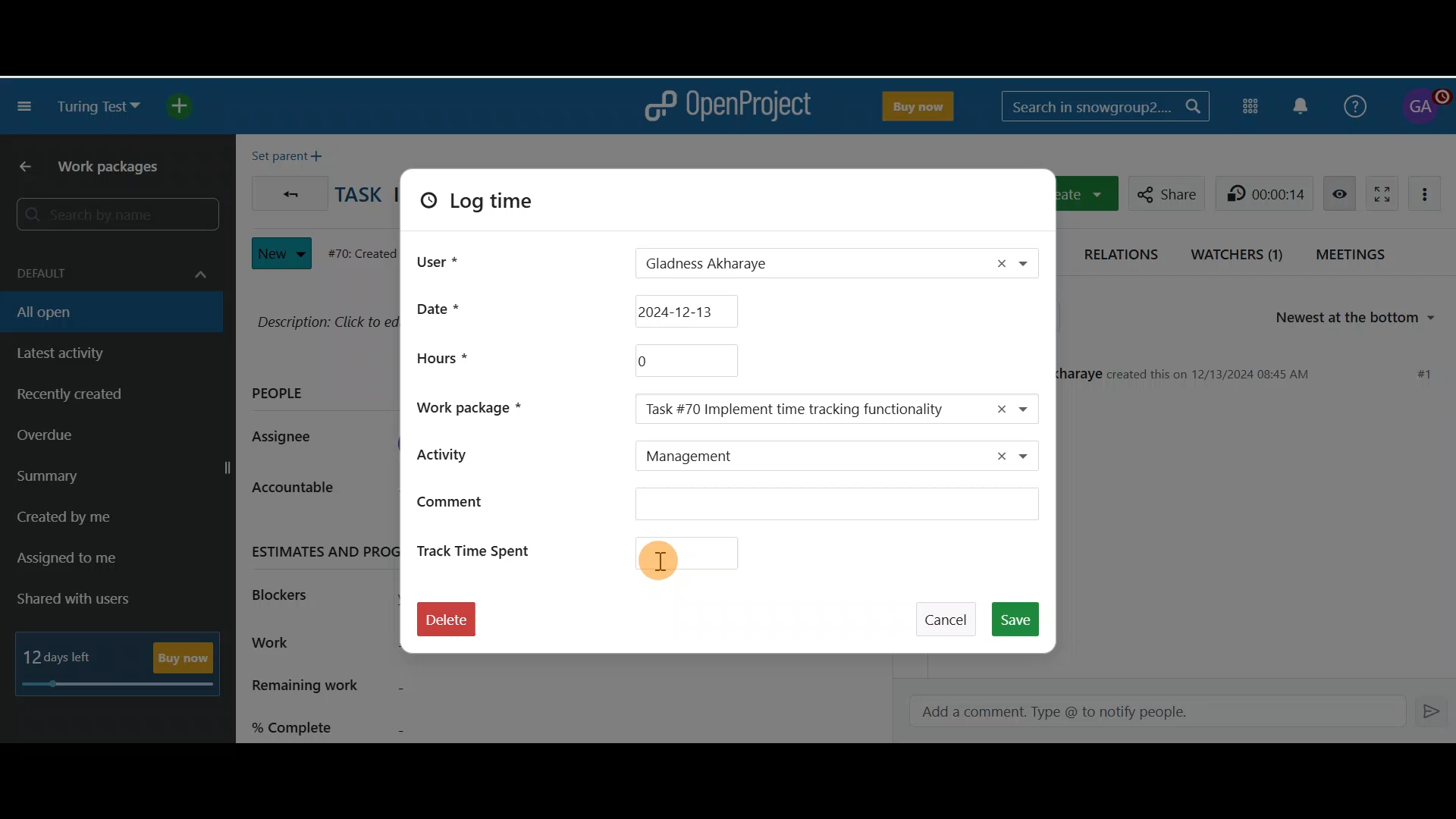 This screenshot has height=819, width=1456. I want to click on Work packages, so click(115, 170).